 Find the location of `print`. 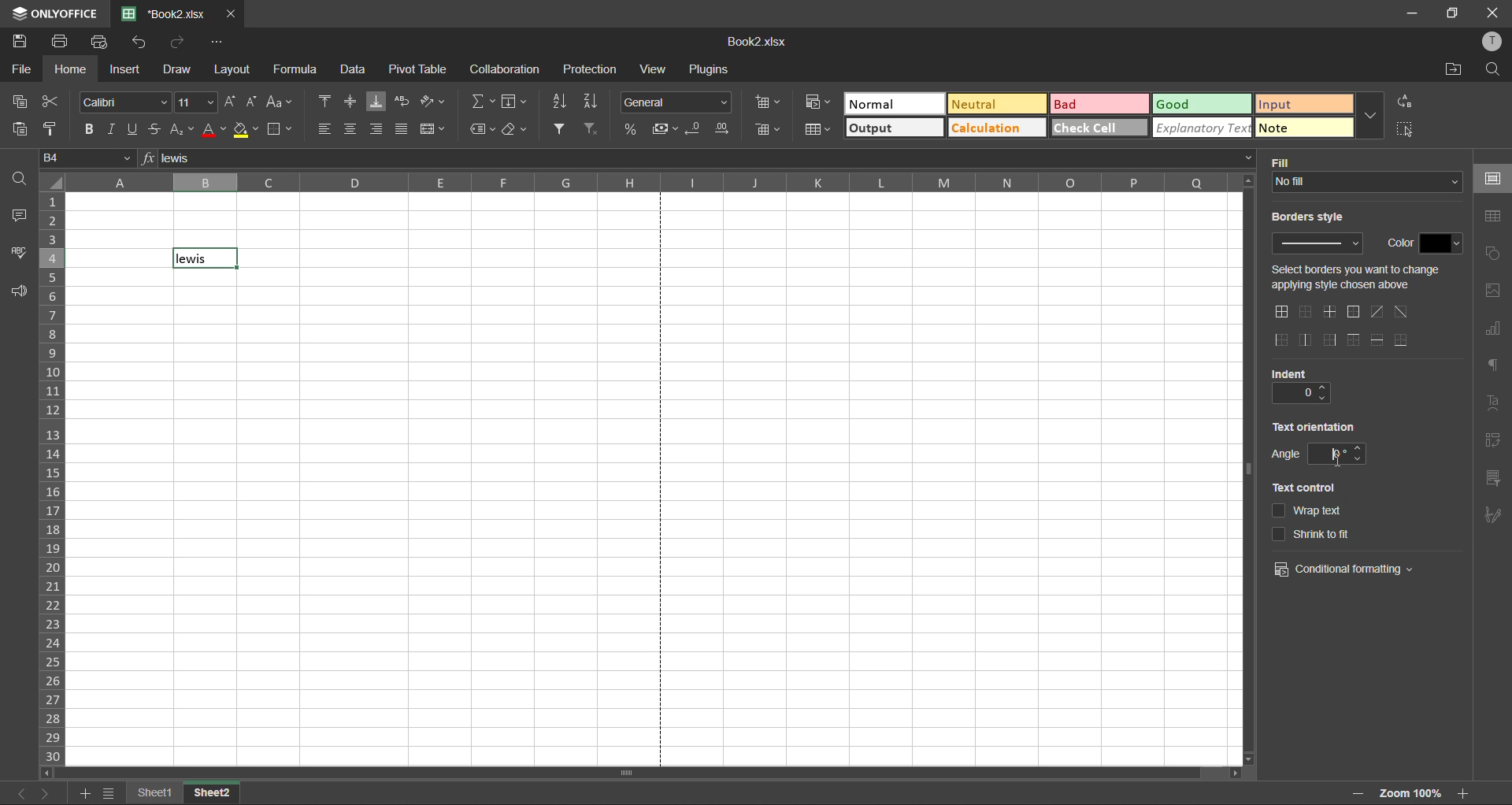

print is located at coordinates (59, 41).